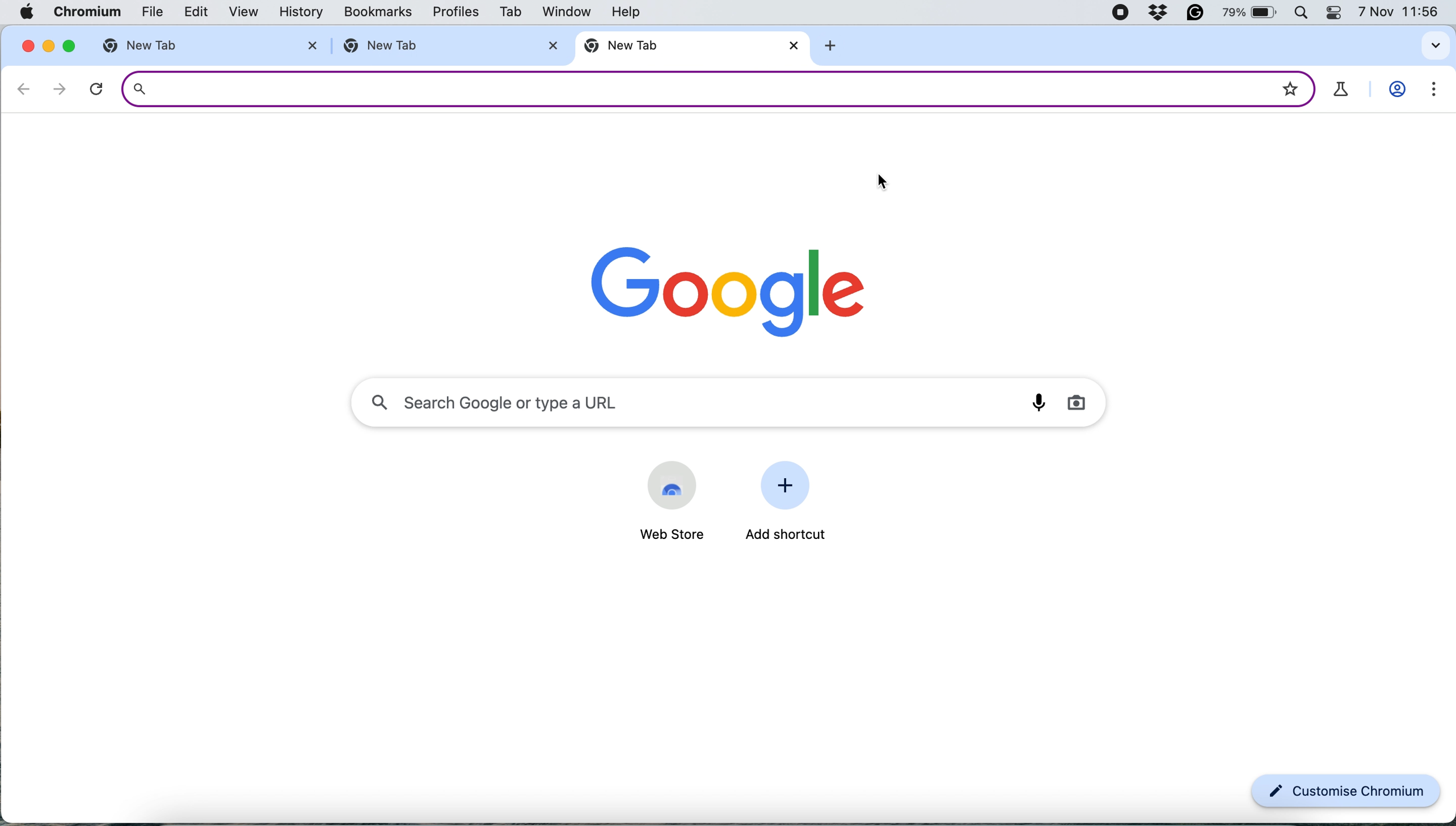 The height and width of the screenshot is (826, 1456). What do you see at coordinates (238, 12) in the screenshot?
I see `view` at bounding box center [238, 12].